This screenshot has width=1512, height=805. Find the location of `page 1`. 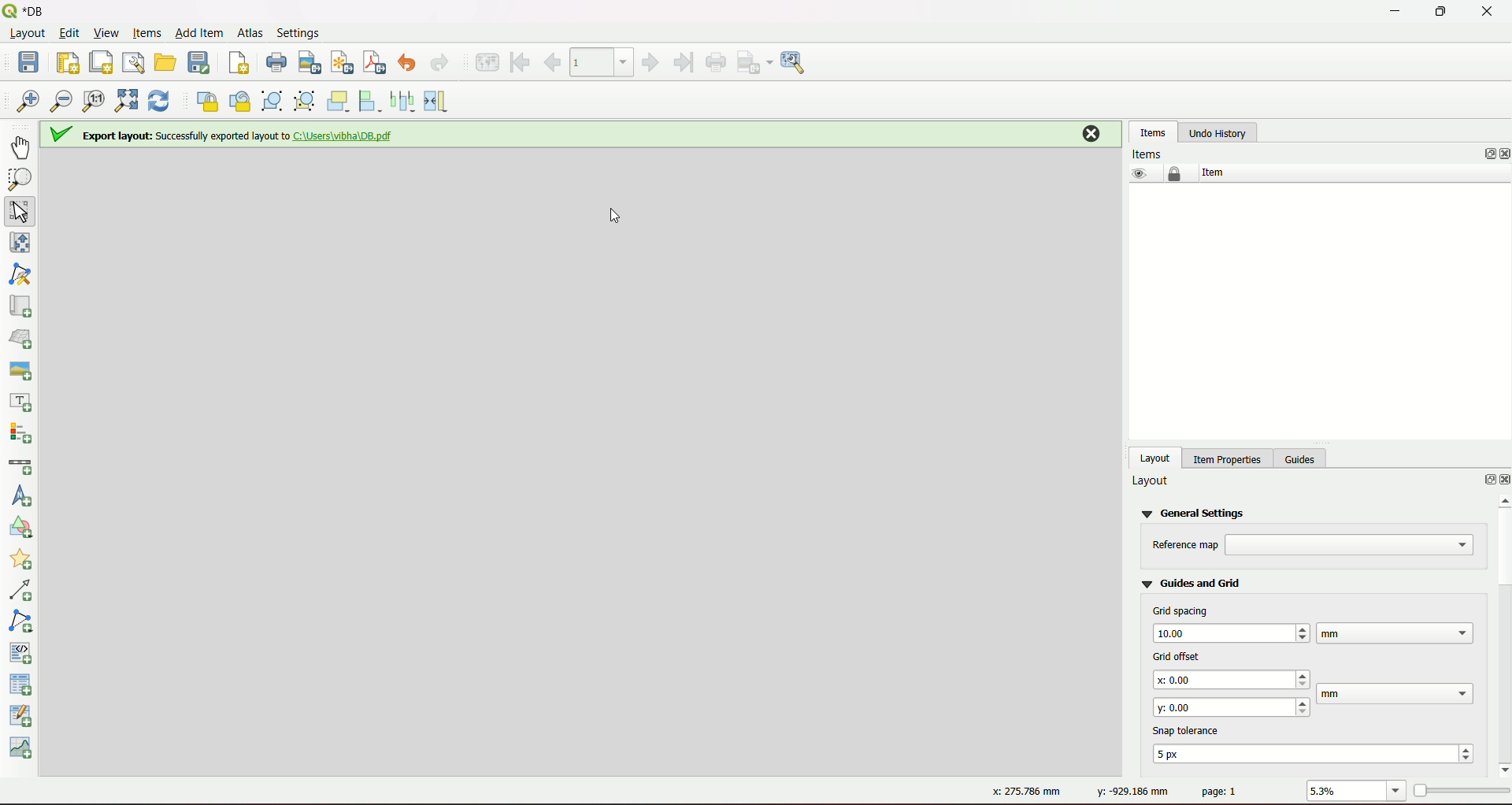

page 1 is located at coordinates (1220, 791).